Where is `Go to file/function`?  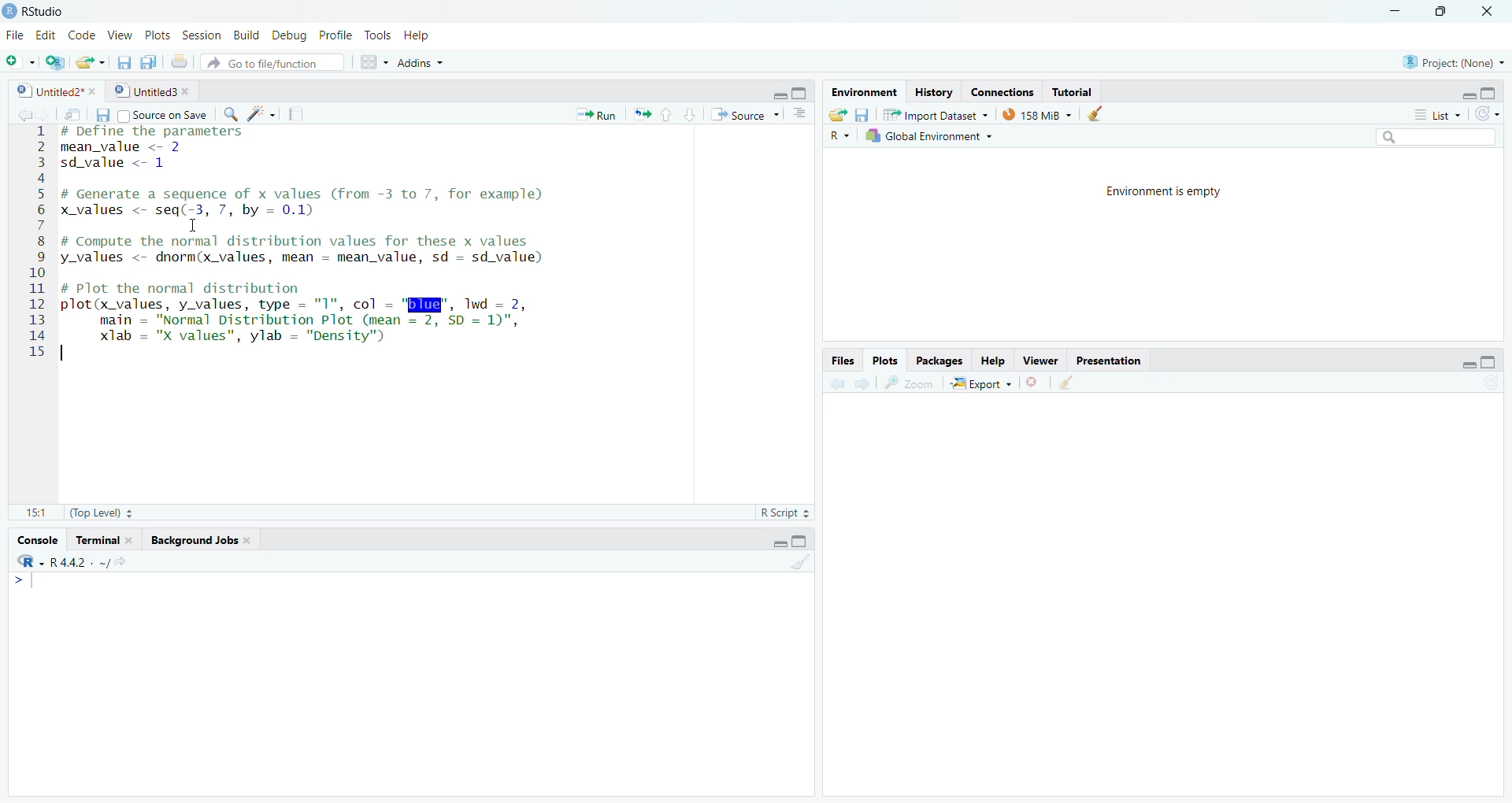 Go to file/function is located at coordinates (276, 62).